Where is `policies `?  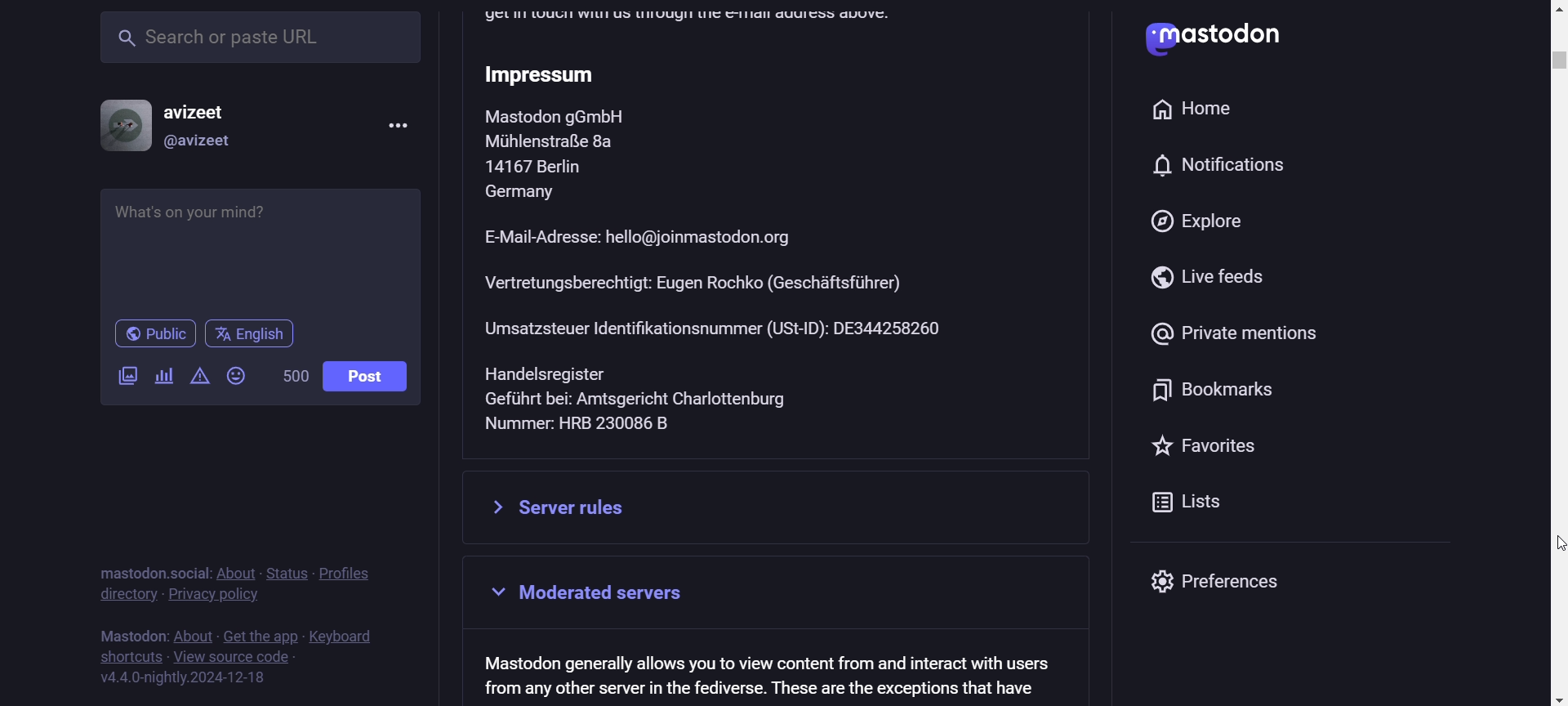
policies  is located at coordinates (354, 565).